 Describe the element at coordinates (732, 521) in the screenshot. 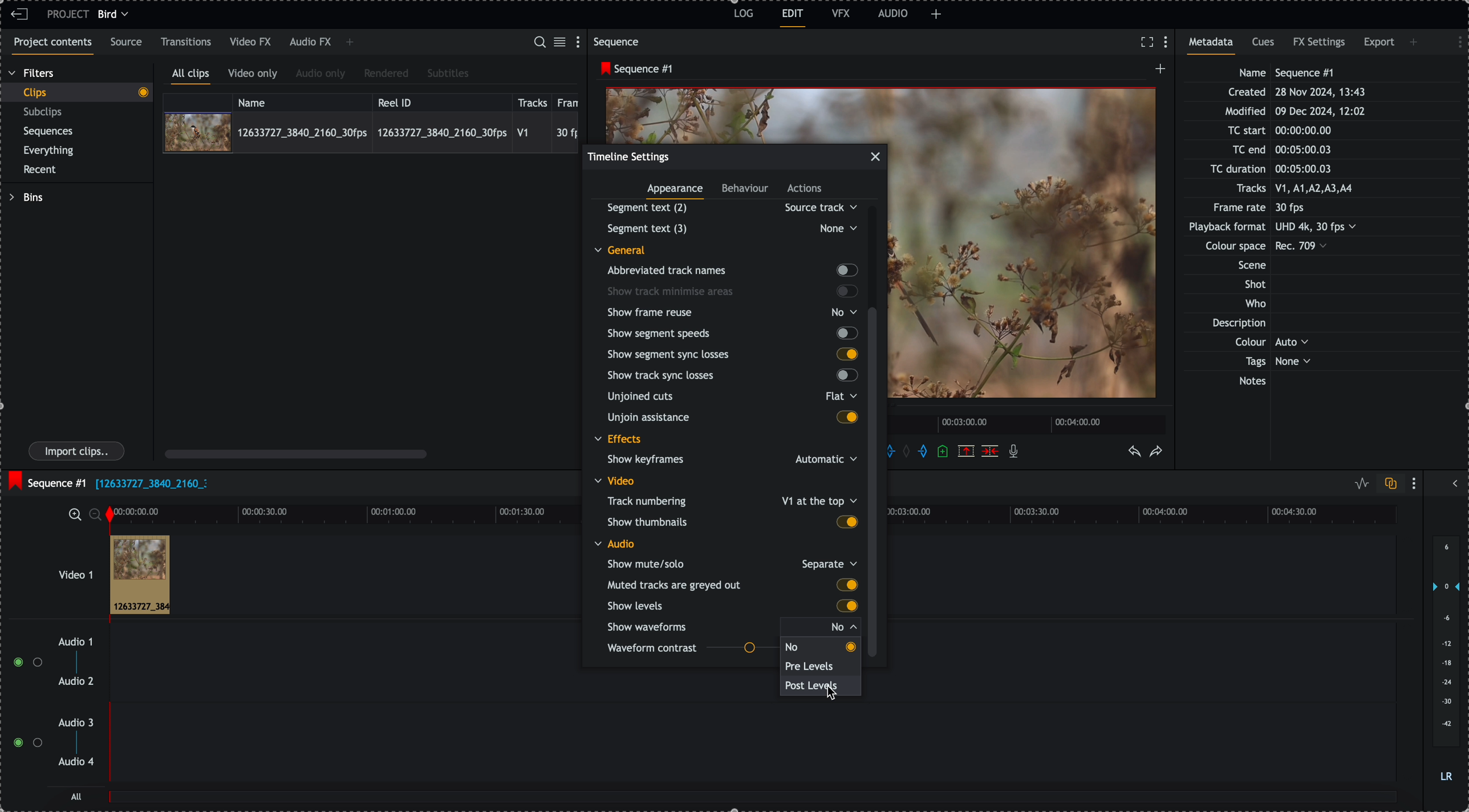

I see `show thumbnails` at that location.